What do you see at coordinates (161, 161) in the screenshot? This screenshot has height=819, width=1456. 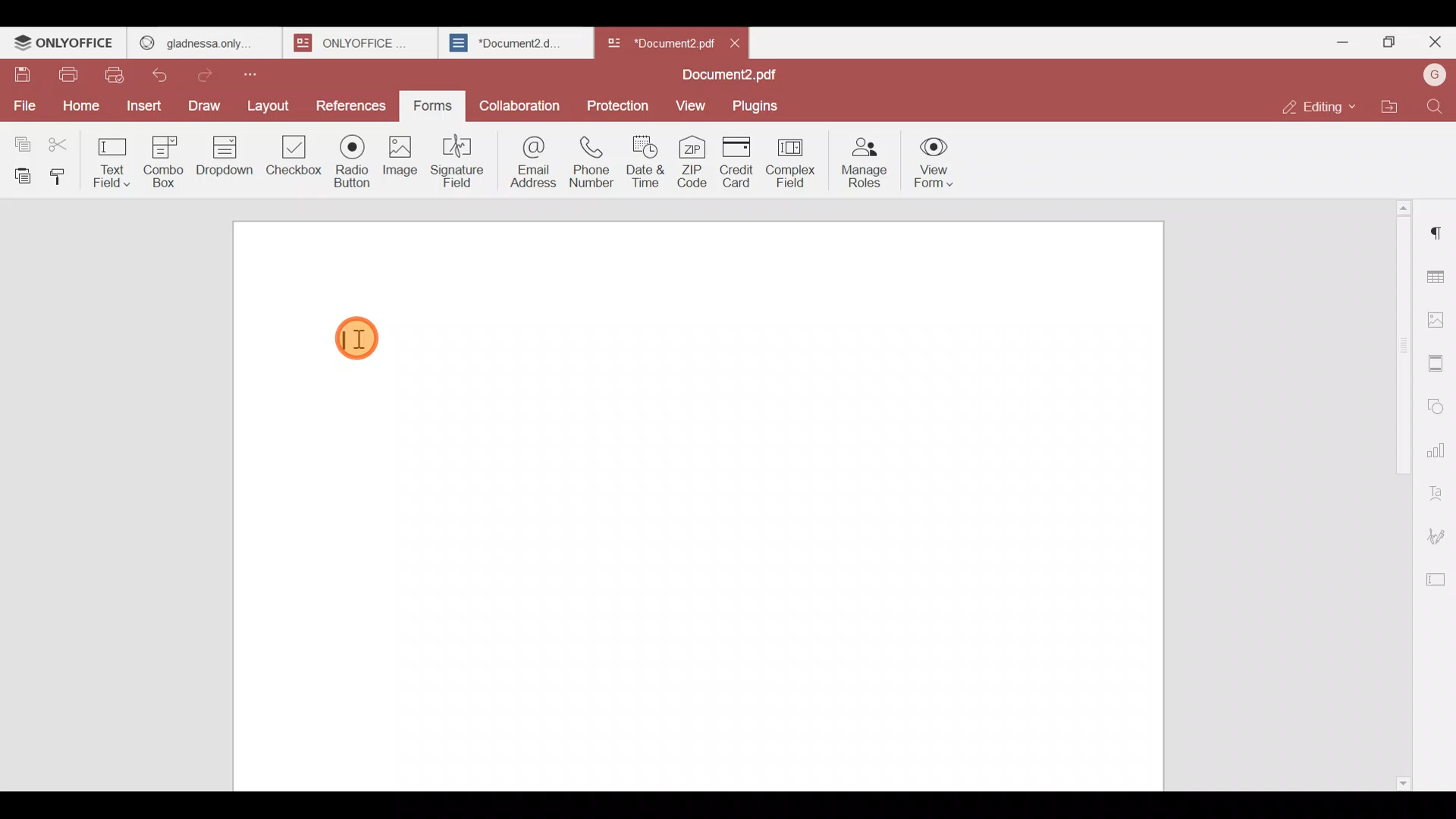 I see `Combo box` at bounding box center [161, 161].